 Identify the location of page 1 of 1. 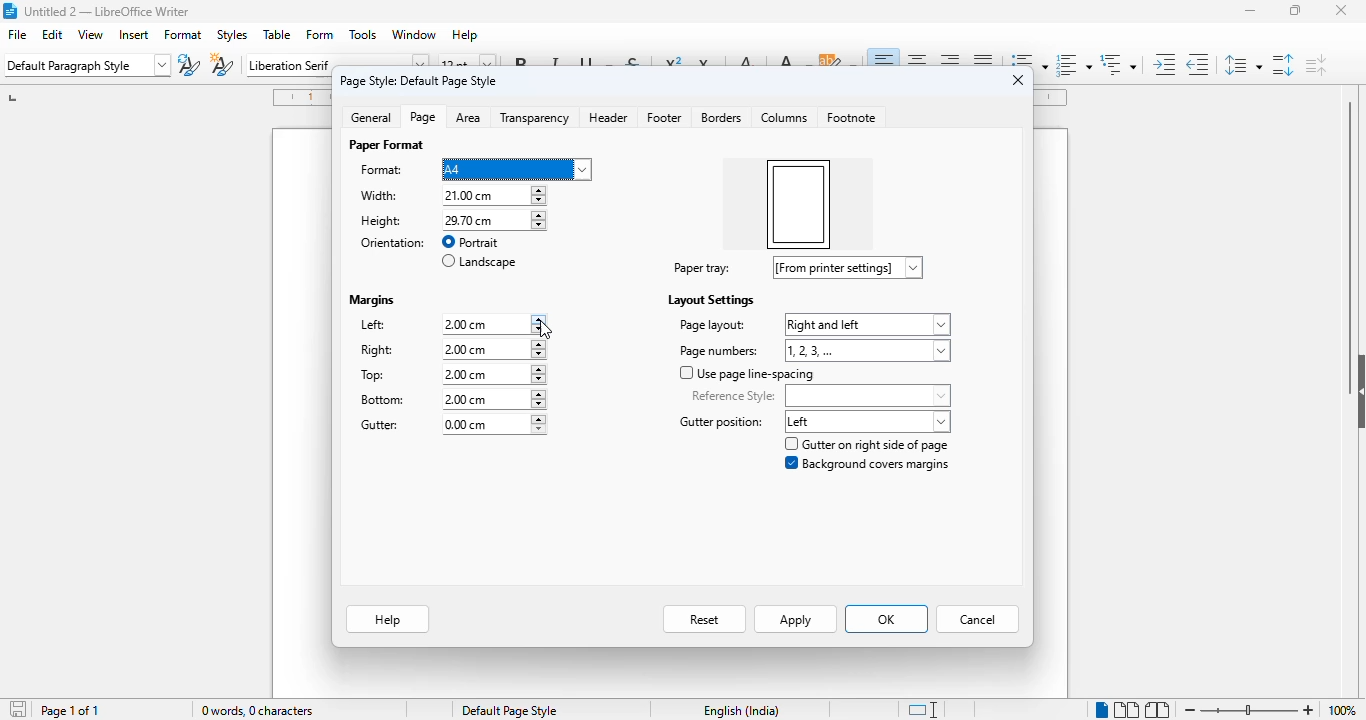
(70, 710).